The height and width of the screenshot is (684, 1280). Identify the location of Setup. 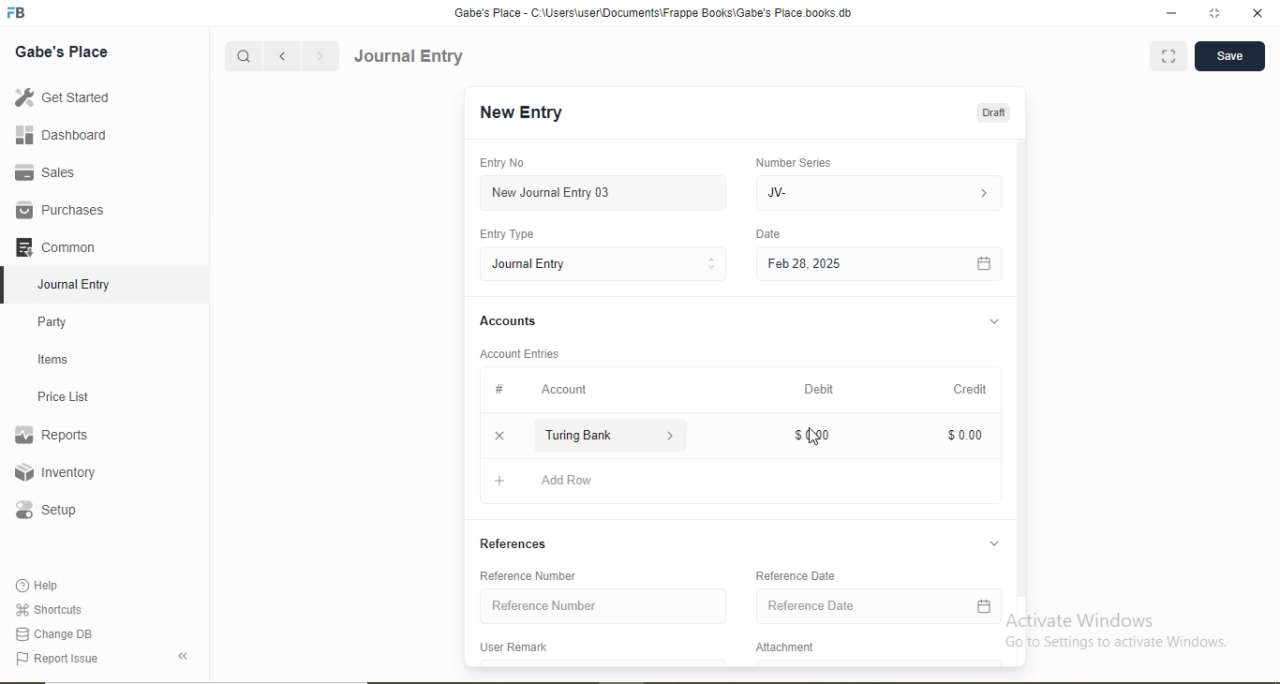
(45, 510).